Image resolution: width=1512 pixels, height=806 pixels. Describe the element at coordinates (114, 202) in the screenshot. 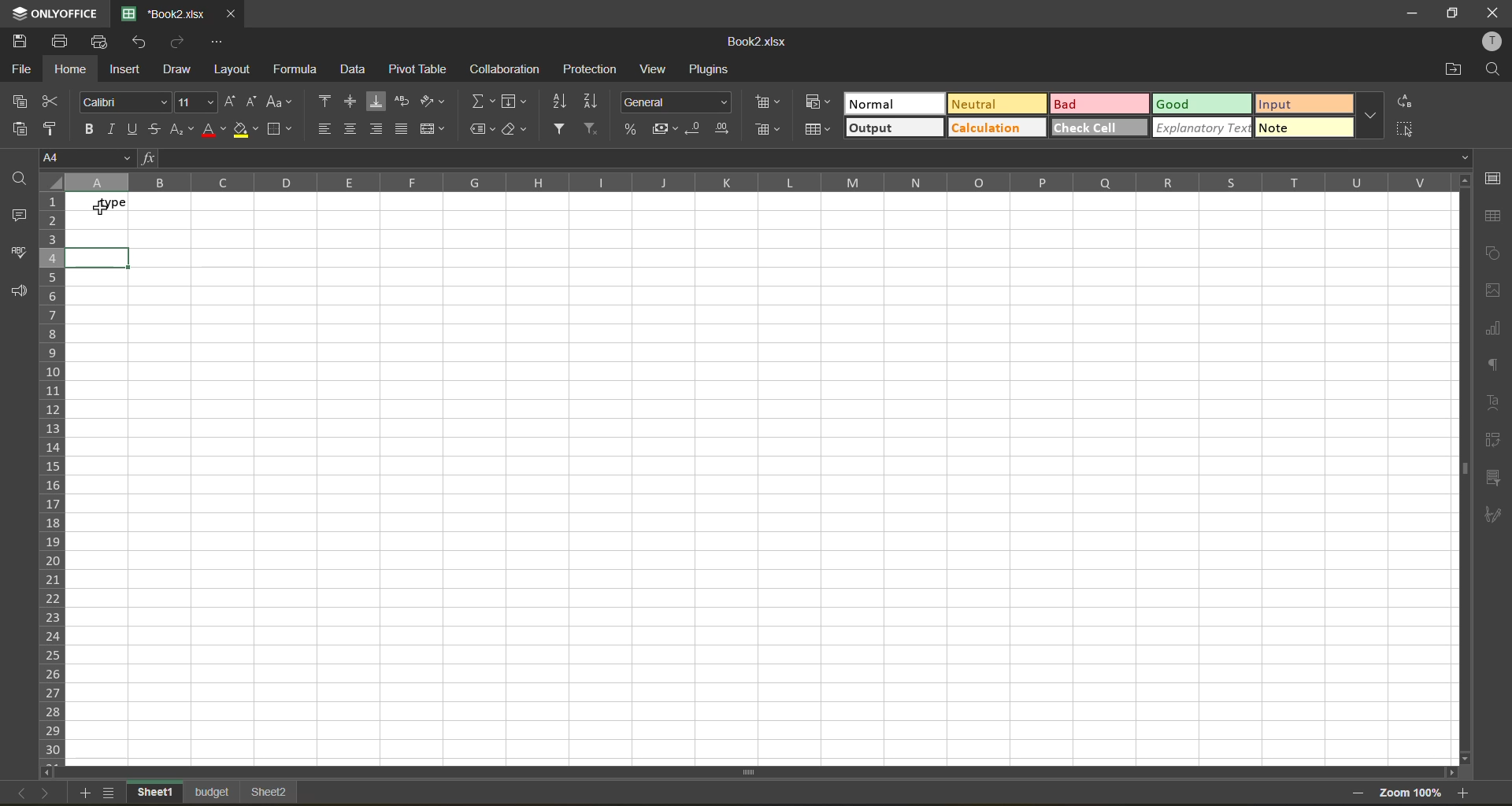

I see `type` at that location.